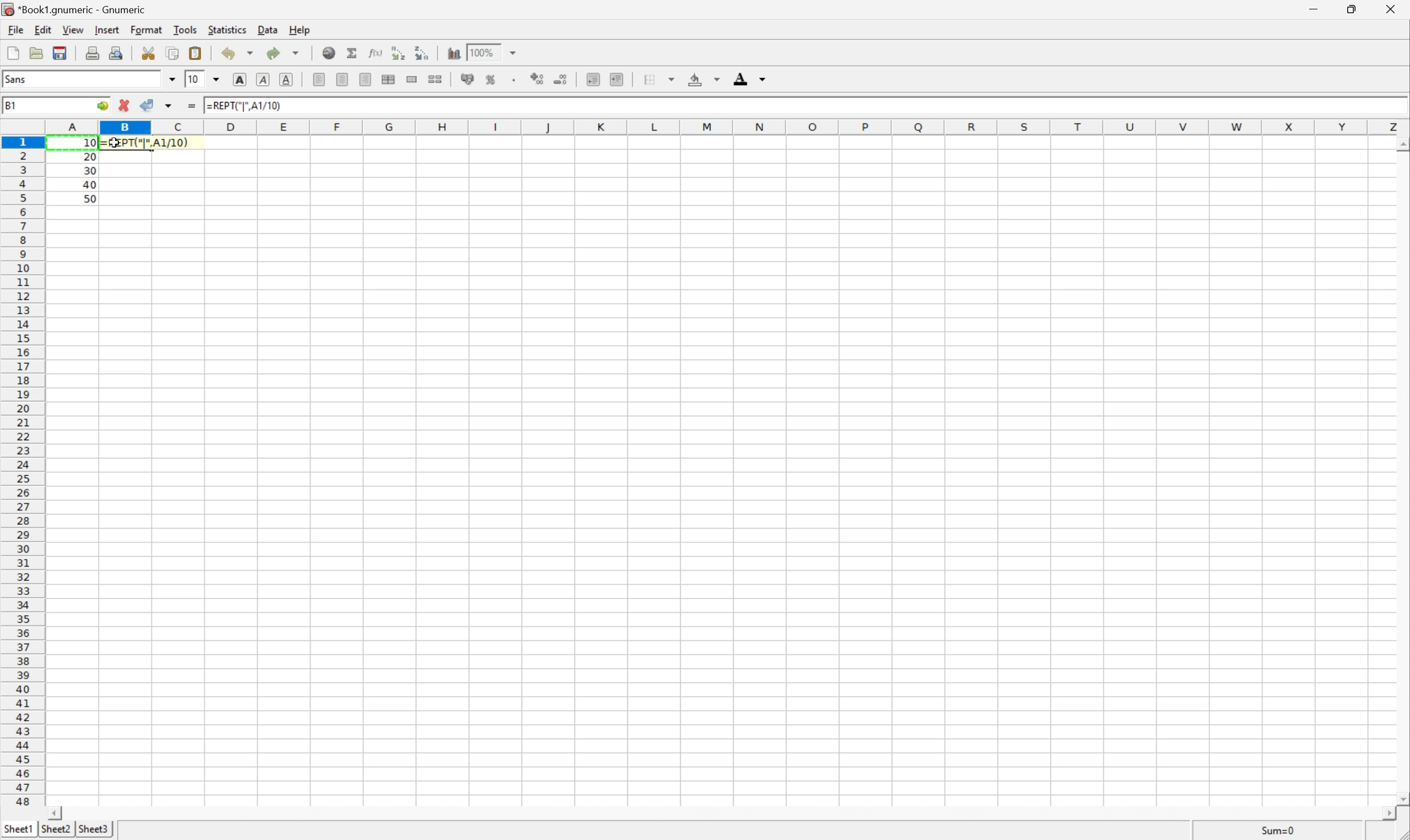  I want to click on Paste clipboard, so click(195, 53).